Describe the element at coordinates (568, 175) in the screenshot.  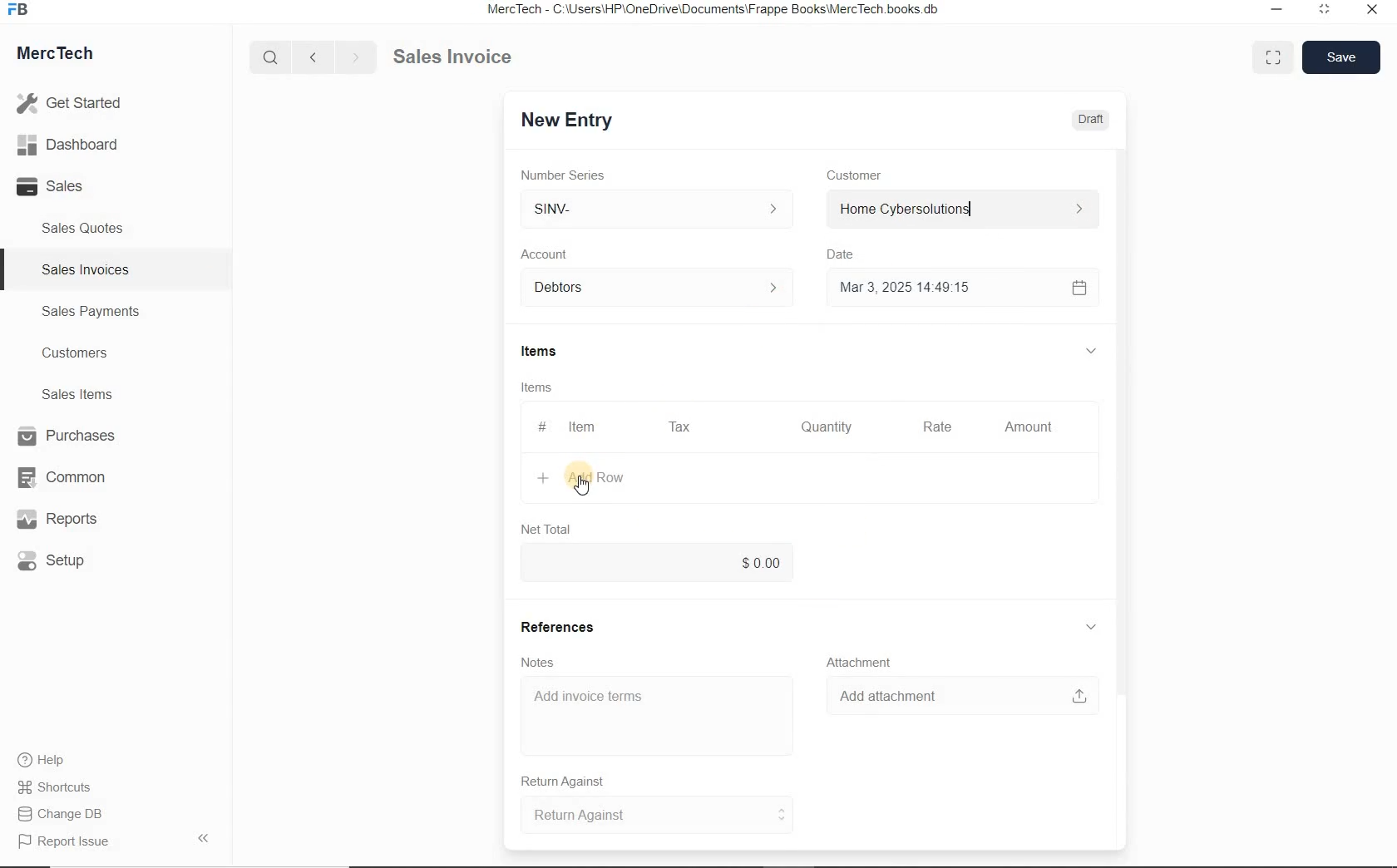
I see `Number Series` at that location.